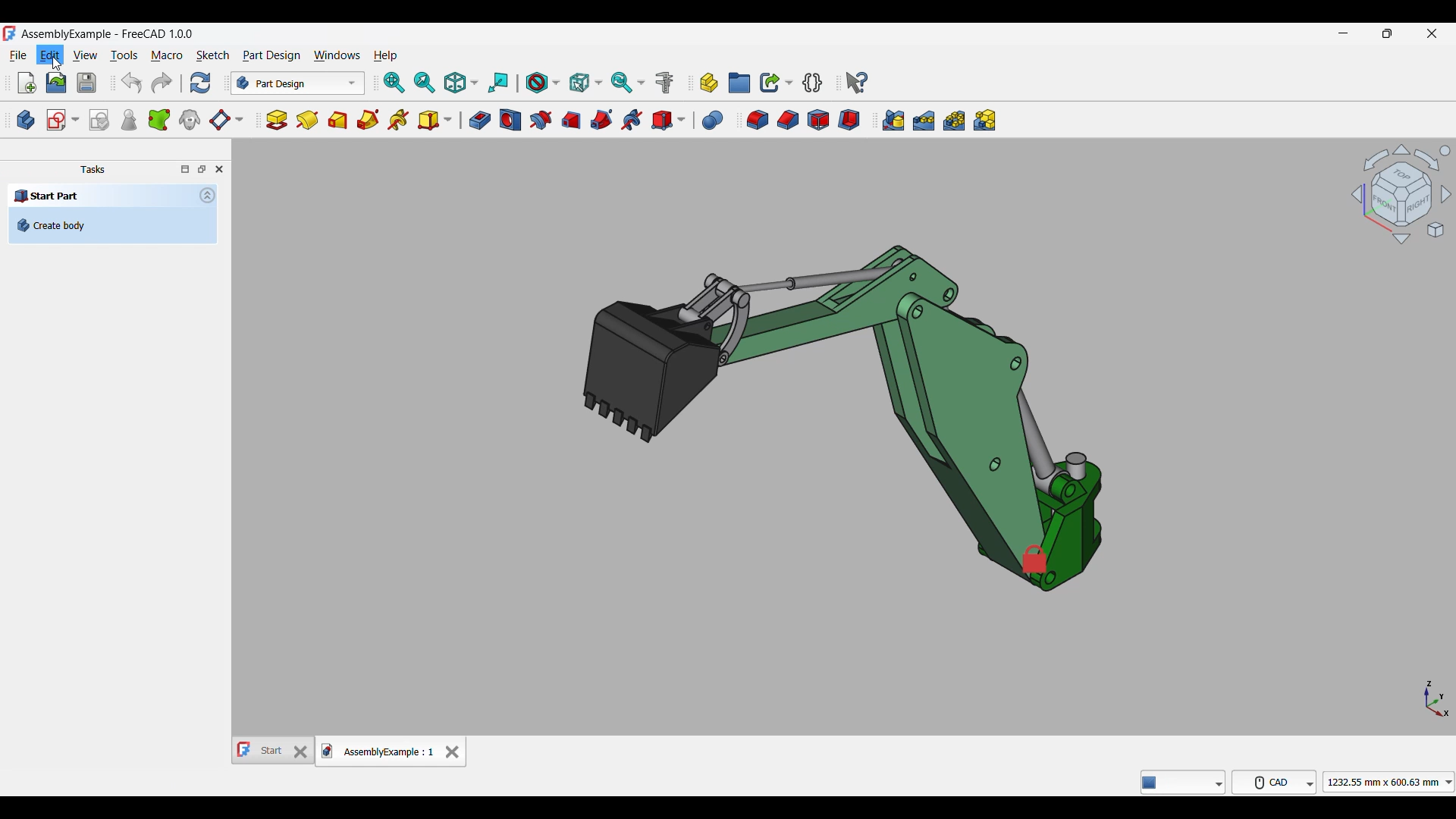  I want to click on Align to selection, so click(499, 83).